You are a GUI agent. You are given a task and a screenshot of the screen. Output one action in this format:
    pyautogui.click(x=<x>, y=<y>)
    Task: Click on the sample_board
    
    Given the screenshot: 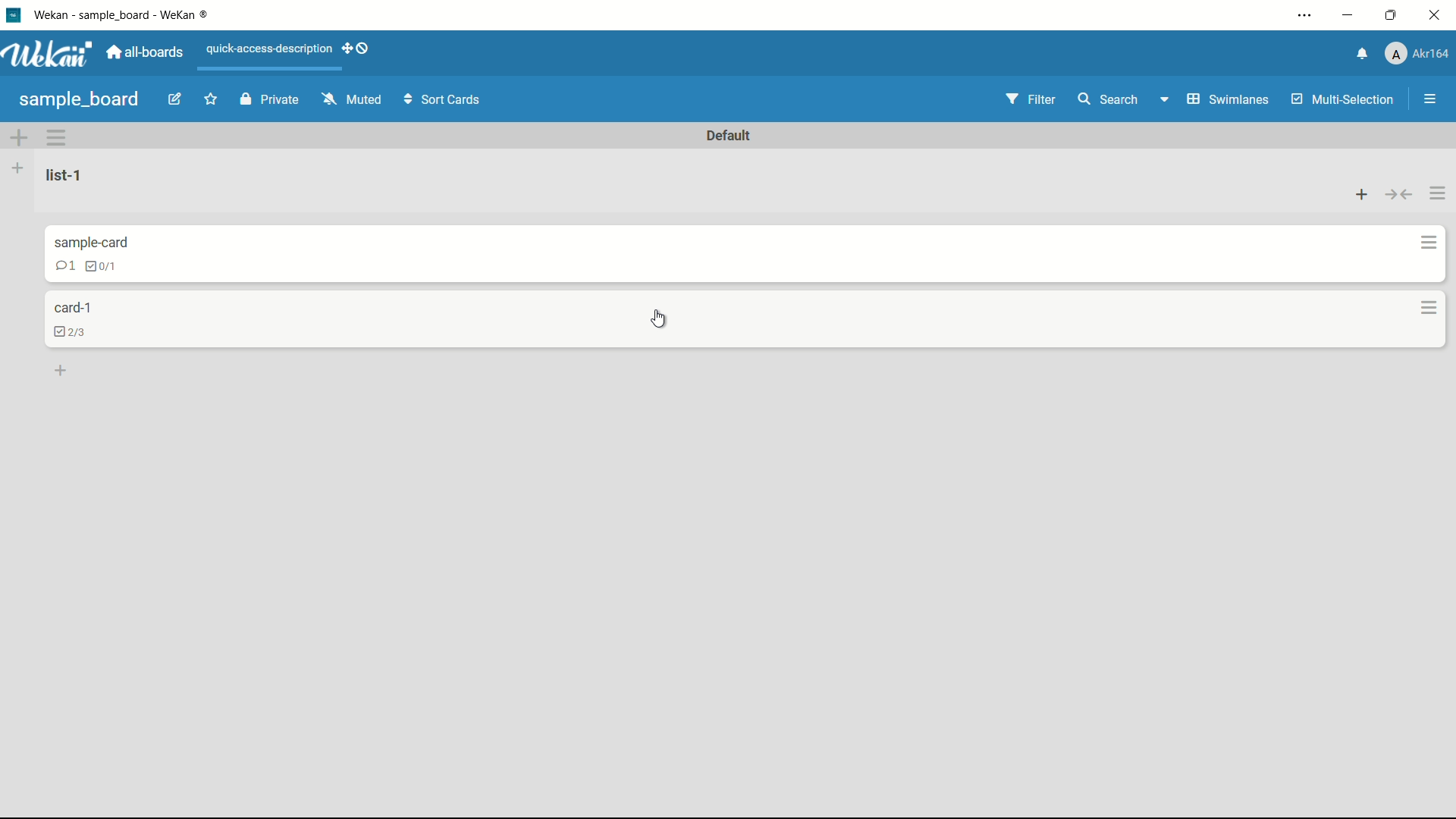 What is the action you would take?
    pyautogui.click(x=80, y=99)
    